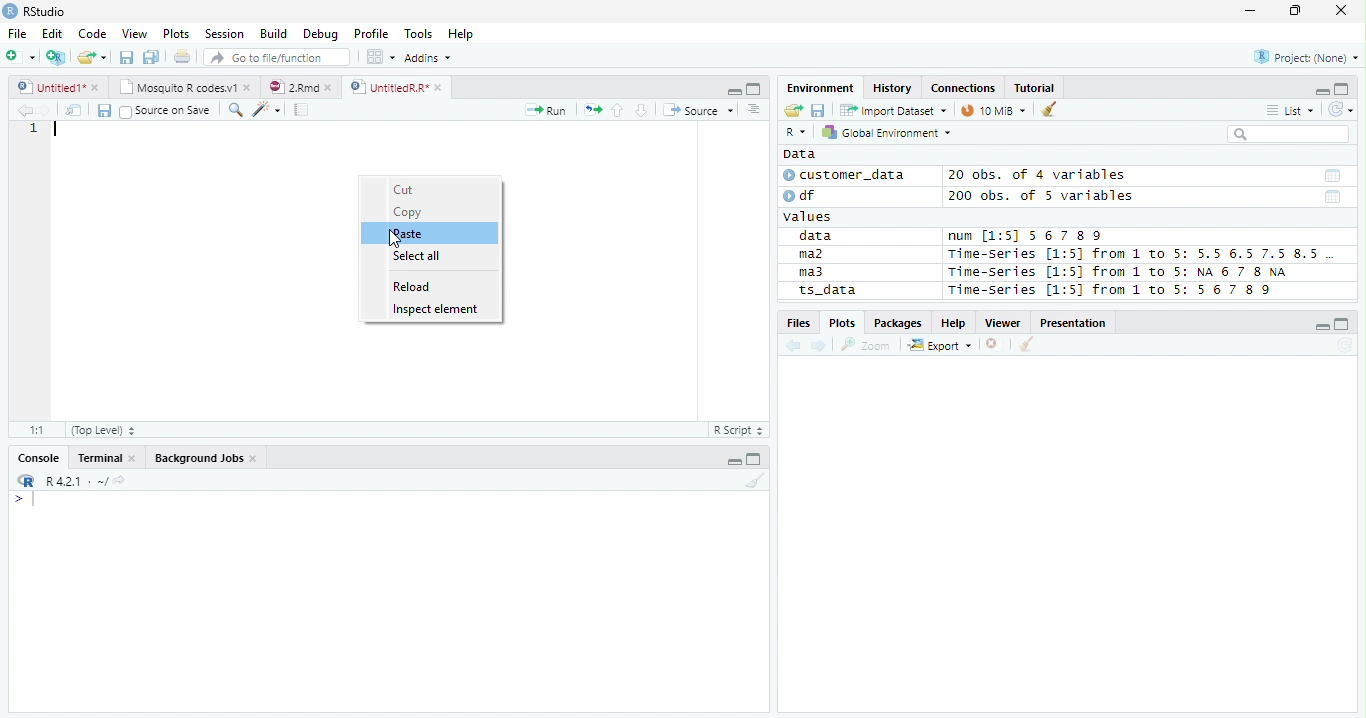 The width and height of the screenshot is (1366, 718). What do you see at coordinates (897, 324) in the screenshot?
I see `Packages` at bounding box center [897, 324].